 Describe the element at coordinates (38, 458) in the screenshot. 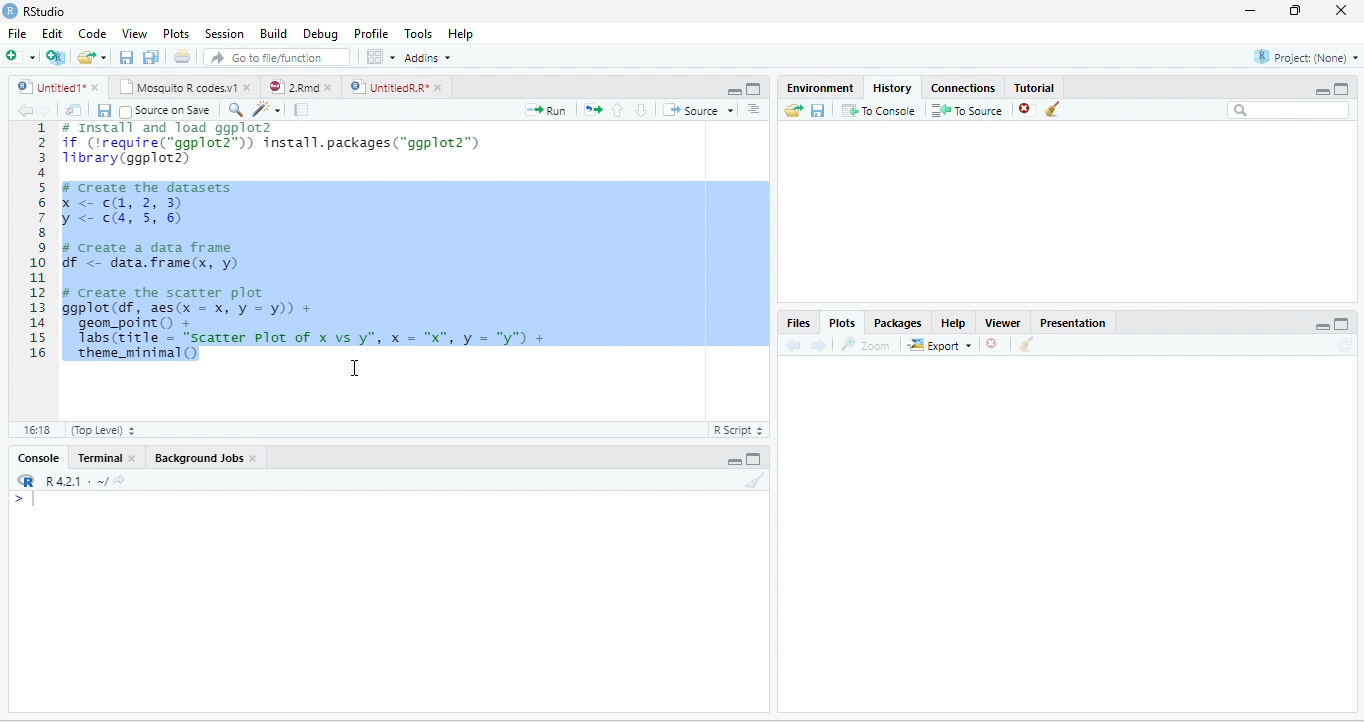

I see `Console` at that location.